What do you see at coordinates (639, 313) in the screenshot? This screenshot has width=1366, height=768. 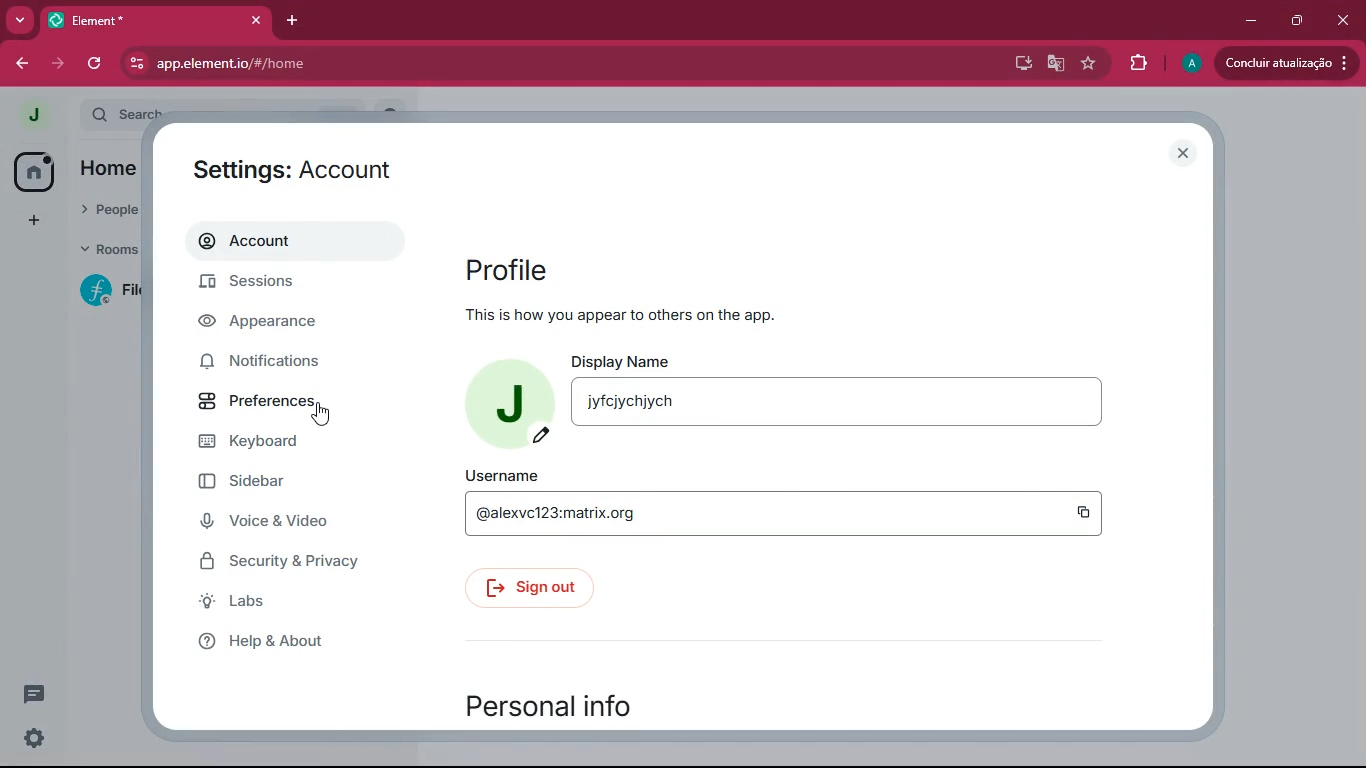 I see `This is how you appear to others on the top ` at bounding box center [639, 313].